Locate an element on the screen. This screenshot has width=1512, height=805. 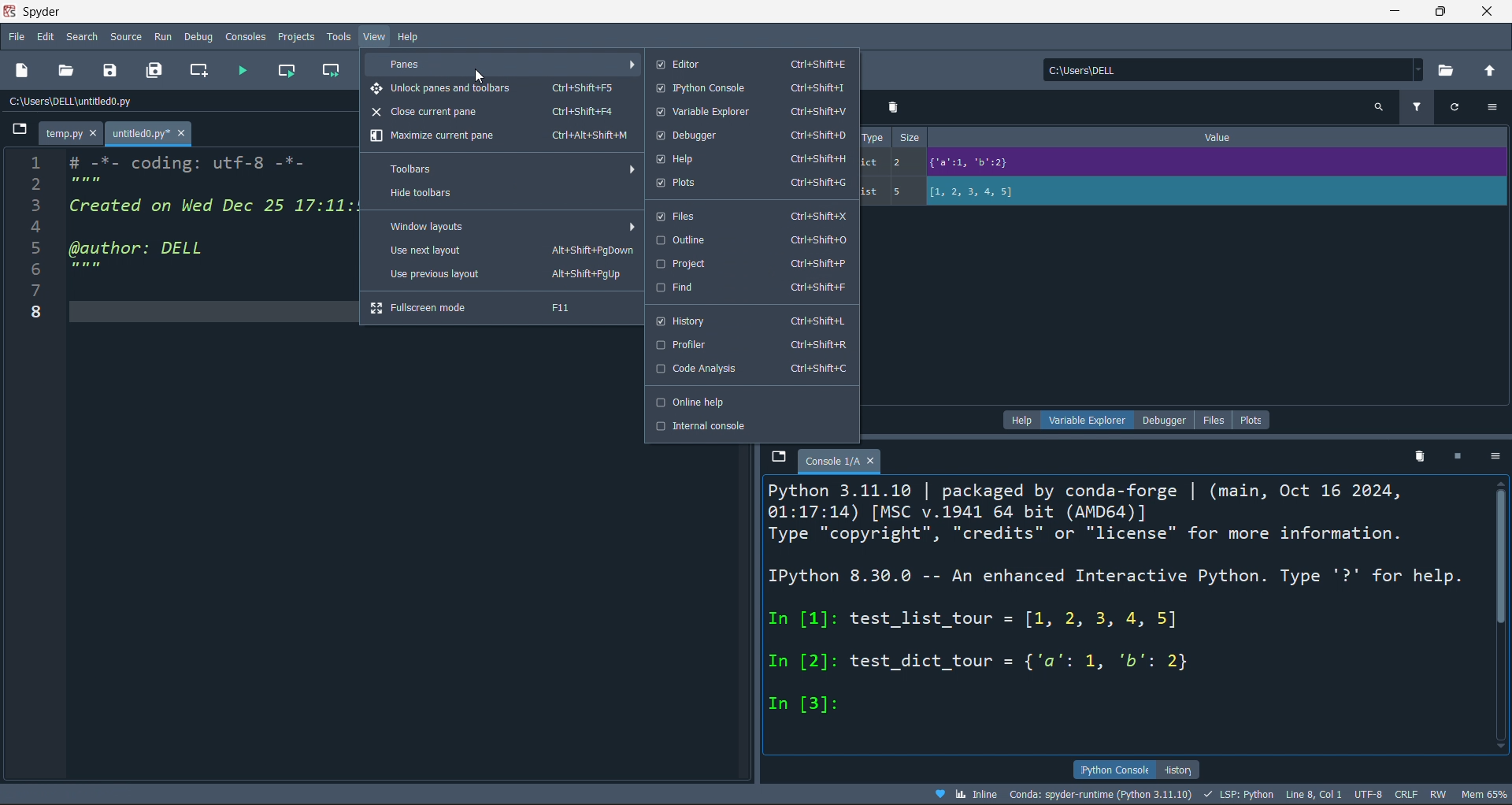
save all is located at coordinates (156, 73).